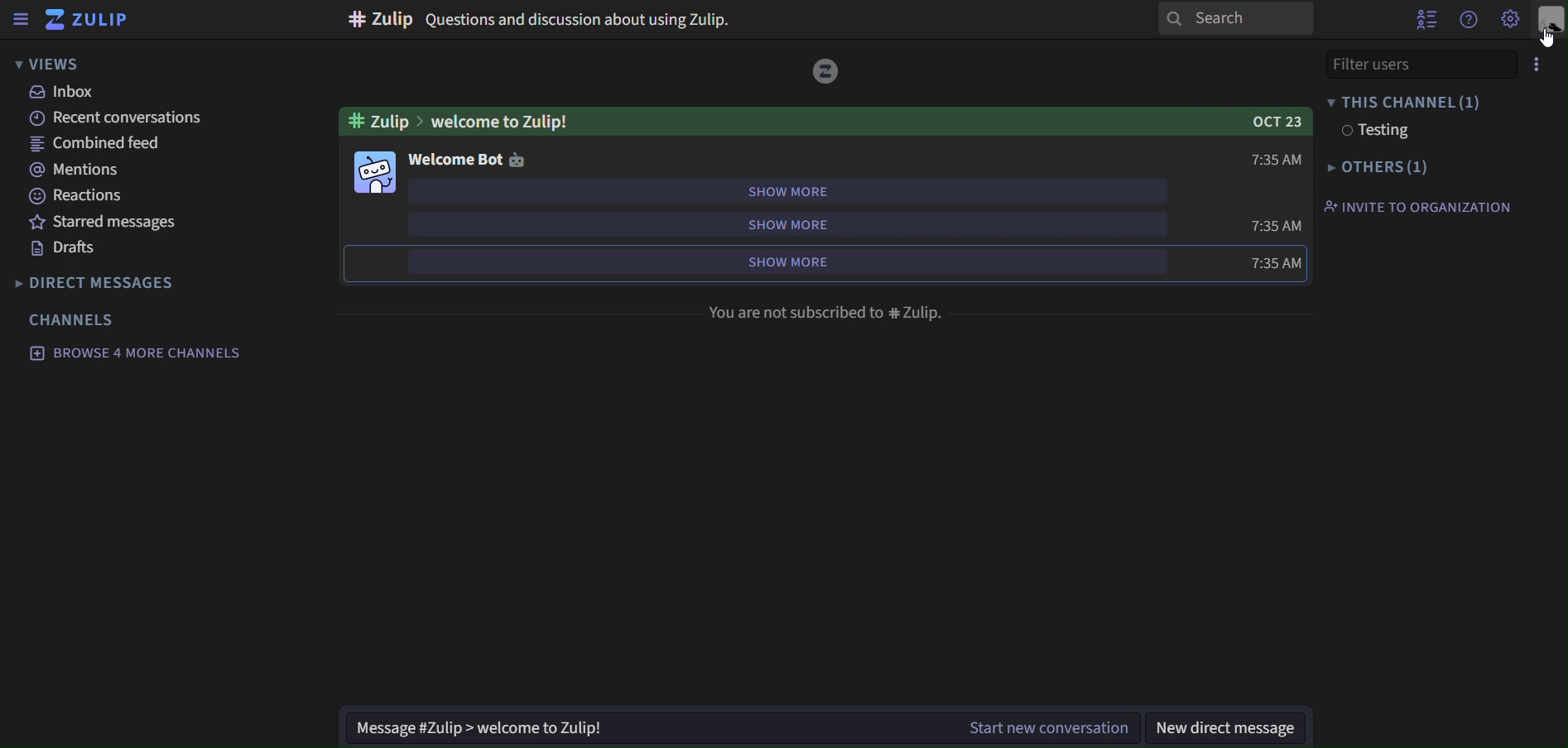 The image size is (1568, 748). I want to click on show more, so click(811, 189).